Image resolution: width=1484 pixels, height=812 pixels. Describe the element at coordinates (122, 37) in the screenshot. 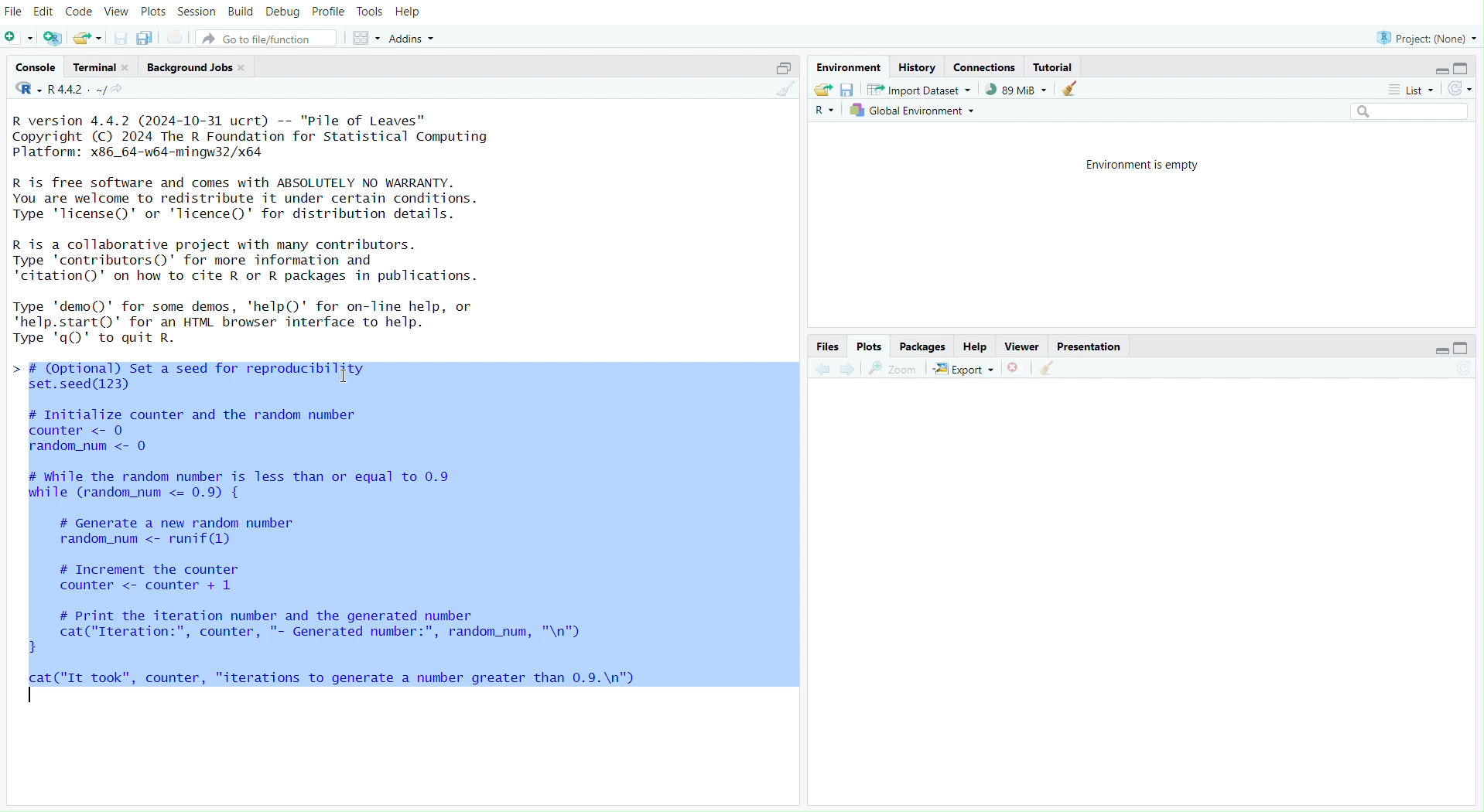

I see `Save current document (Ctrl + S)` at that location.